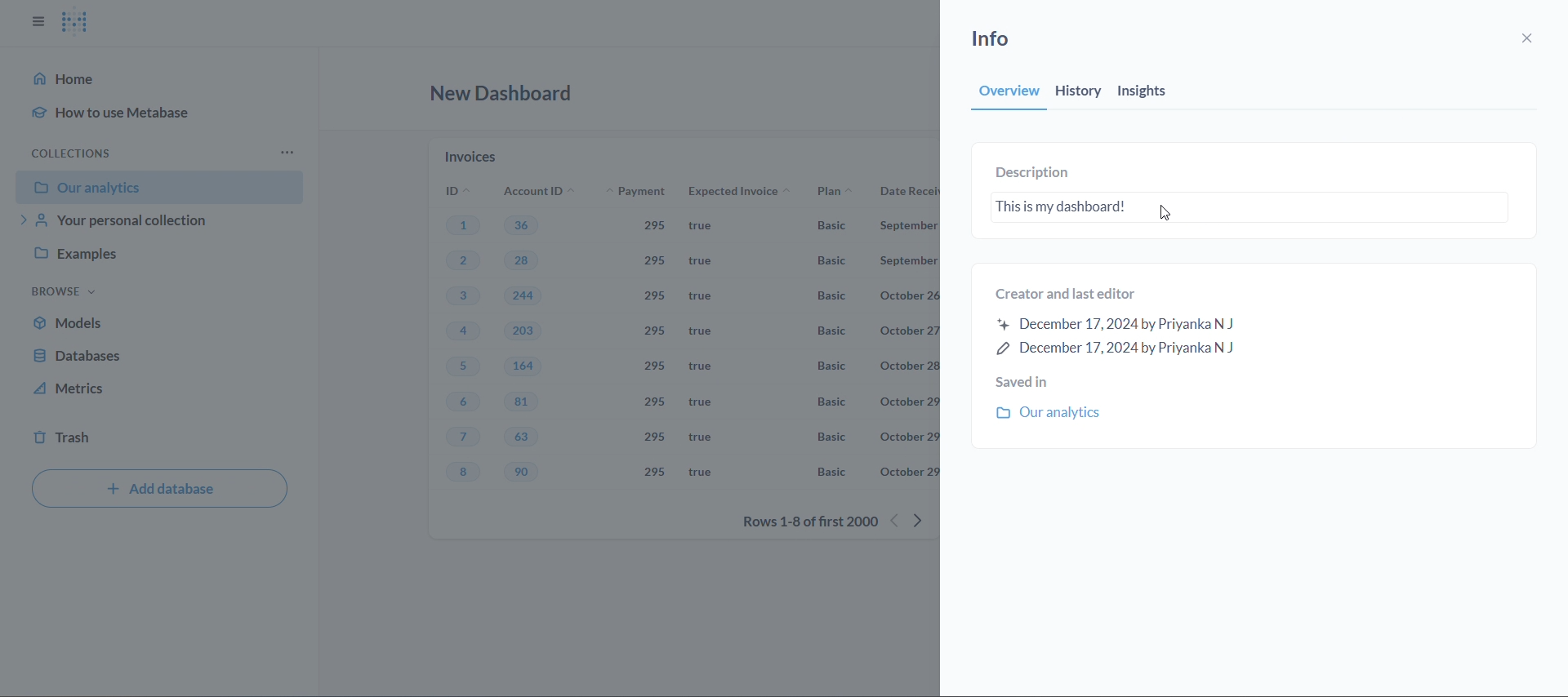 This screenshot has width=1568, height=697. I want to click on 8, so click(468, 474).